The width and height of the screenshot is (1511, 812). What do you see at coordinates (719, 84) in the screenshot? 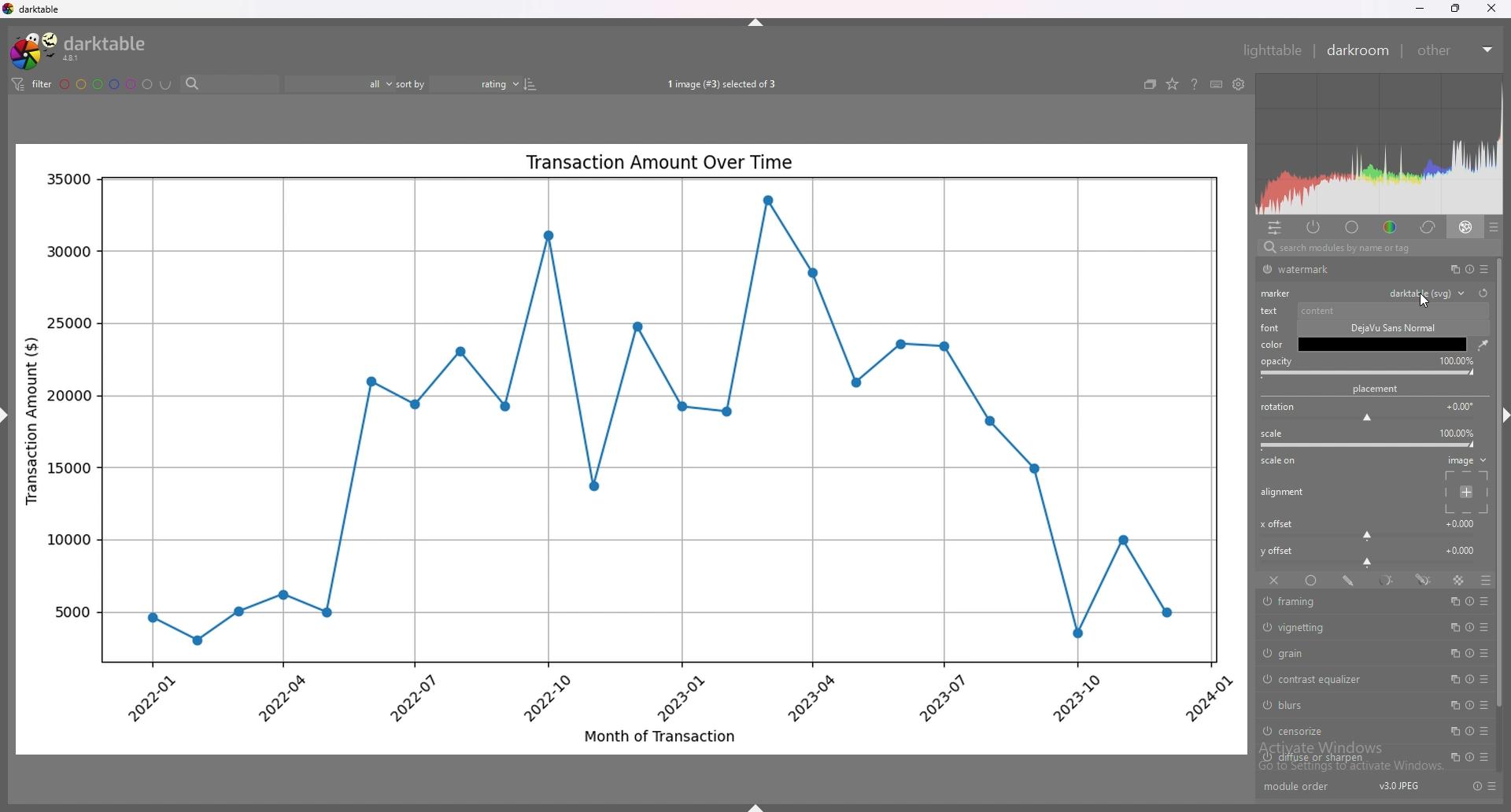
I see `images selected` at bounding box center [719, 84].